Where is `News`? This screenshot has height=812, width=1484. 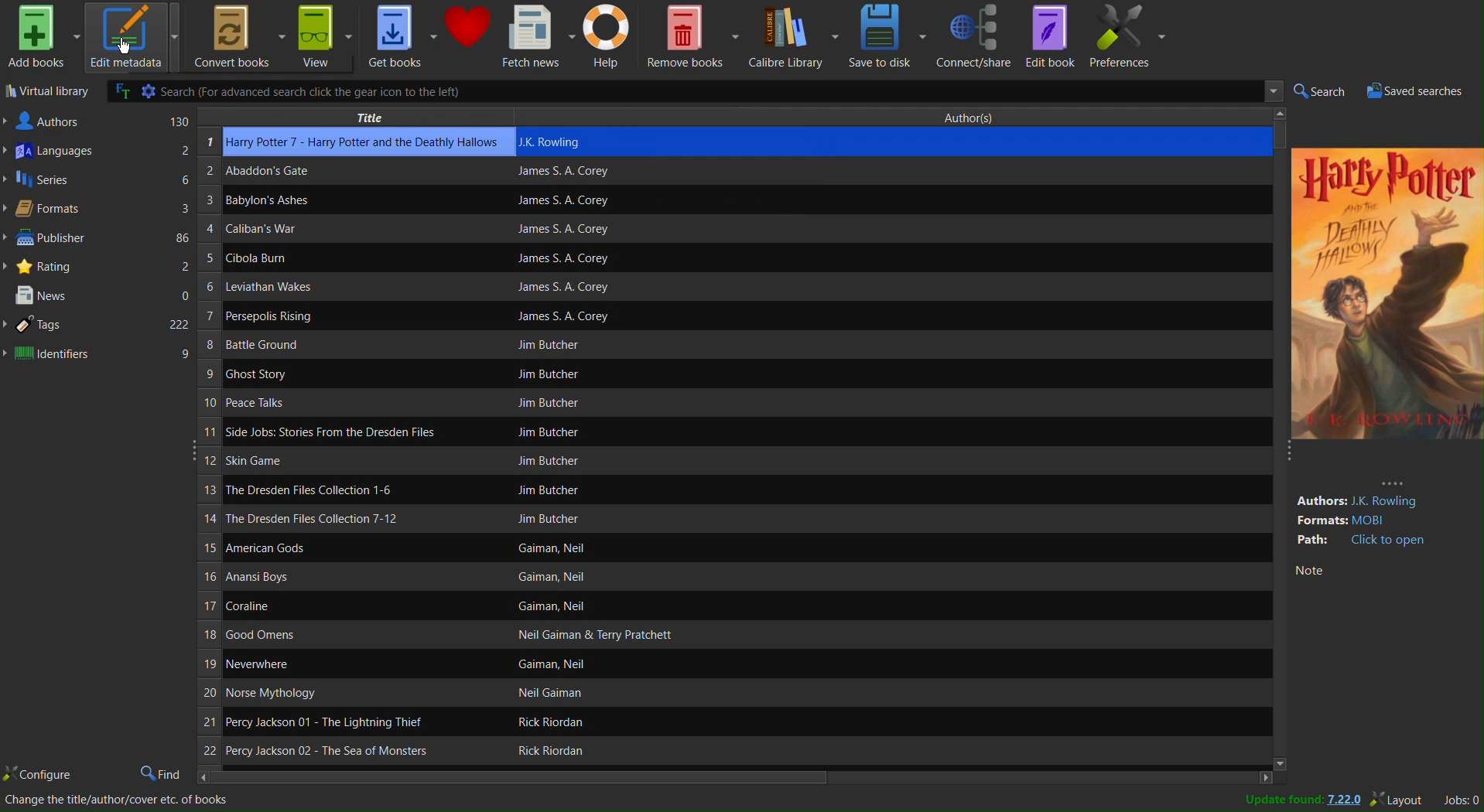 News is located at coordinates (100, 295).